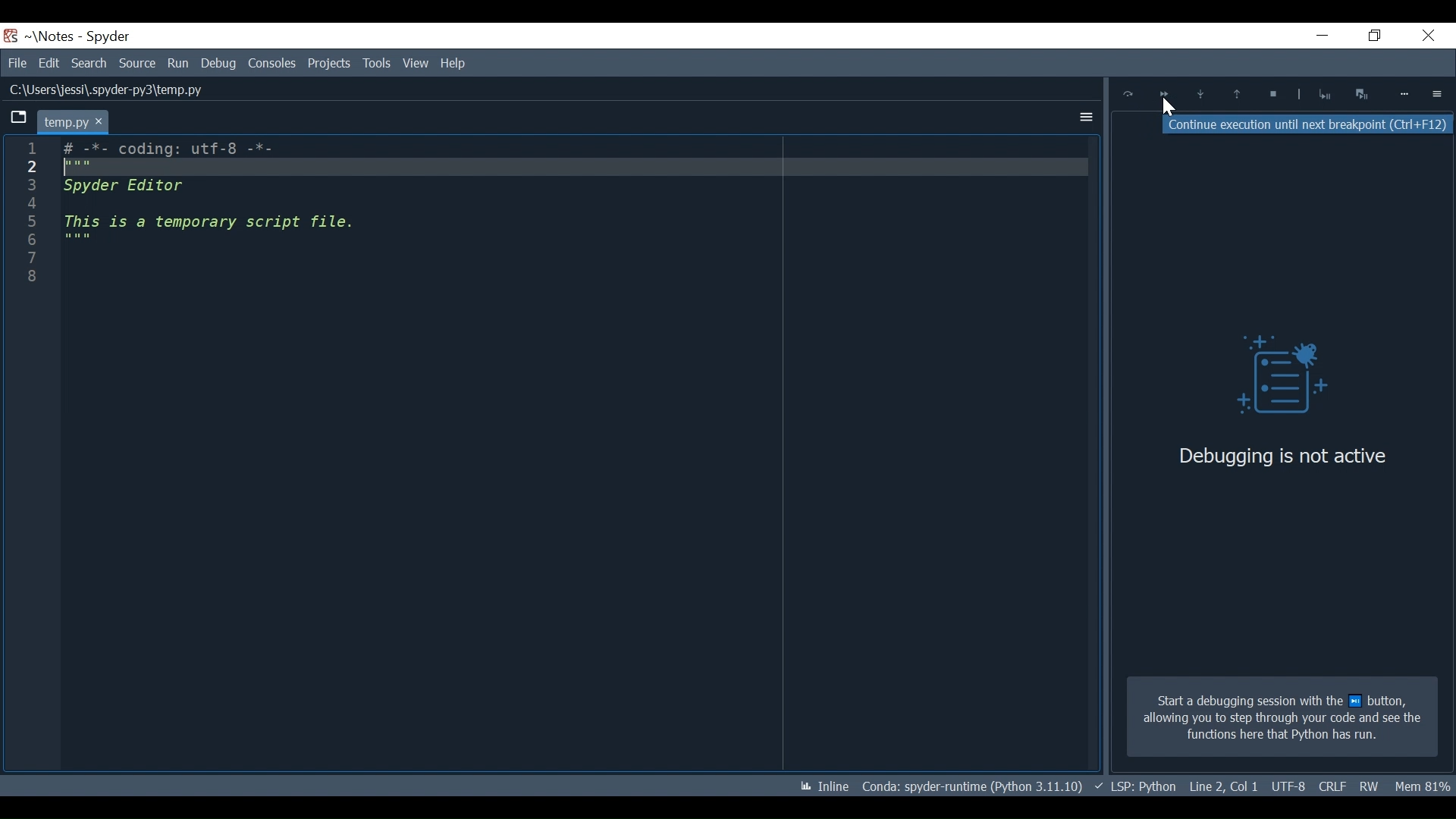 The height and width of the screenshot is (819, 1456). I want to click on Close, so click(1425, 37).